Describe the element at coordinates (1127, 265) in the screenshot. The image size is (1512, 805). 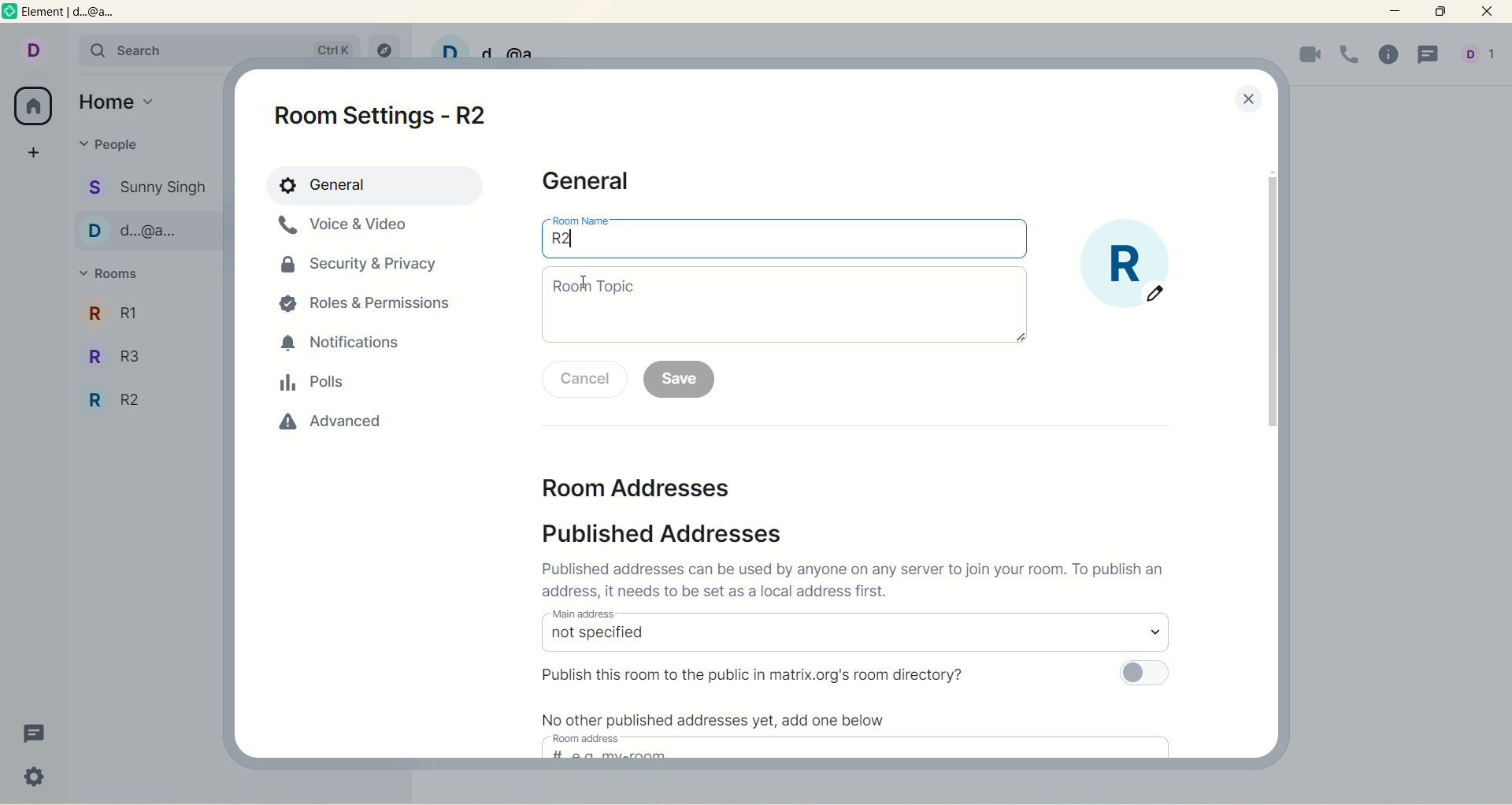
I see `room display picture` at that location.